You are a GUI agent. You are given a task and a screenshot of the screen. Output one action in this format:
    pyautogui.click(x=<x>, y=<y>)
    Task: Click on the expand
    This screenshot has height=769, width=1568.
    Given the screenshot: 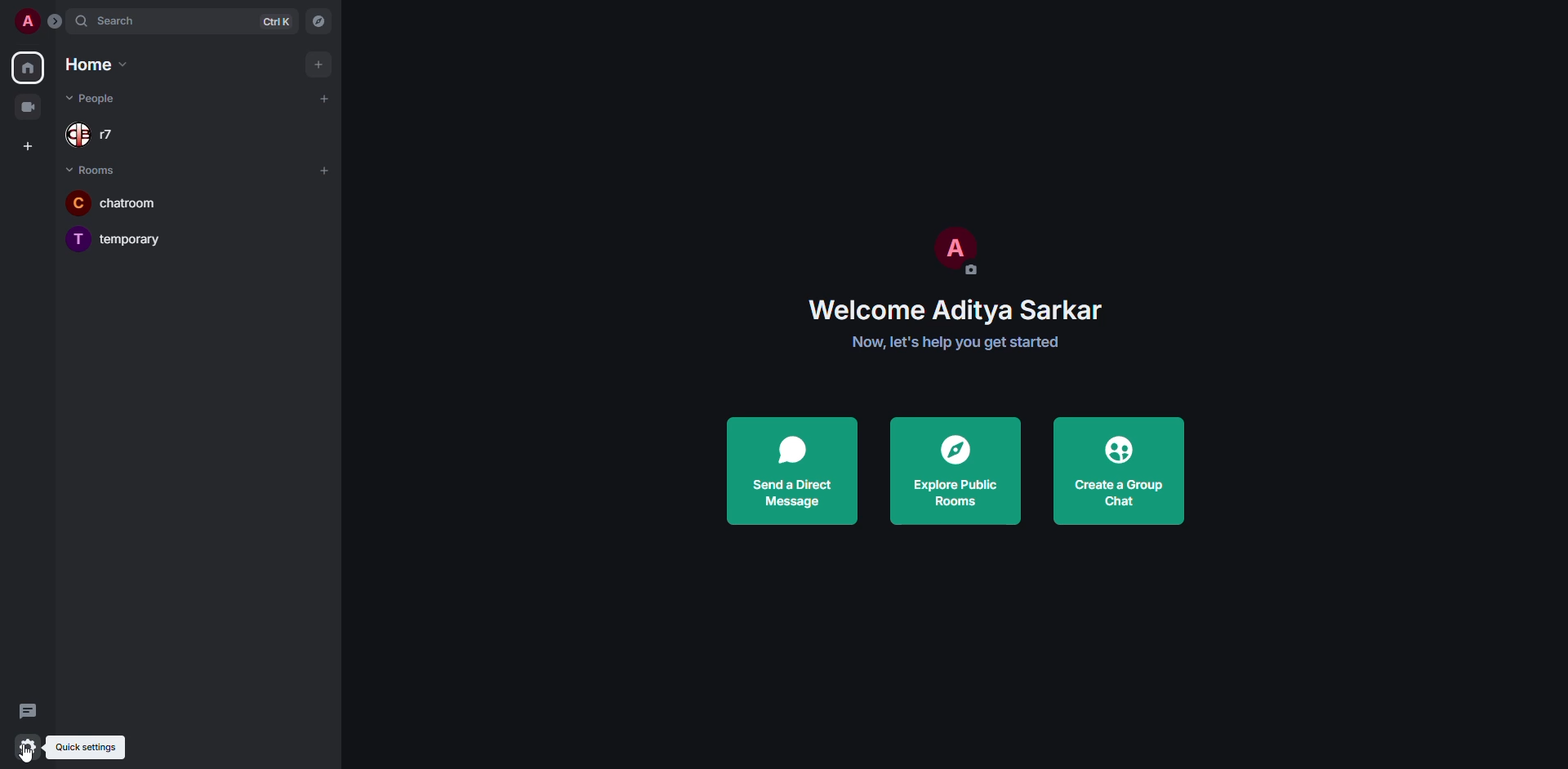 What is the action you would take?
    pyautogui.click(x=54, y=21)
    